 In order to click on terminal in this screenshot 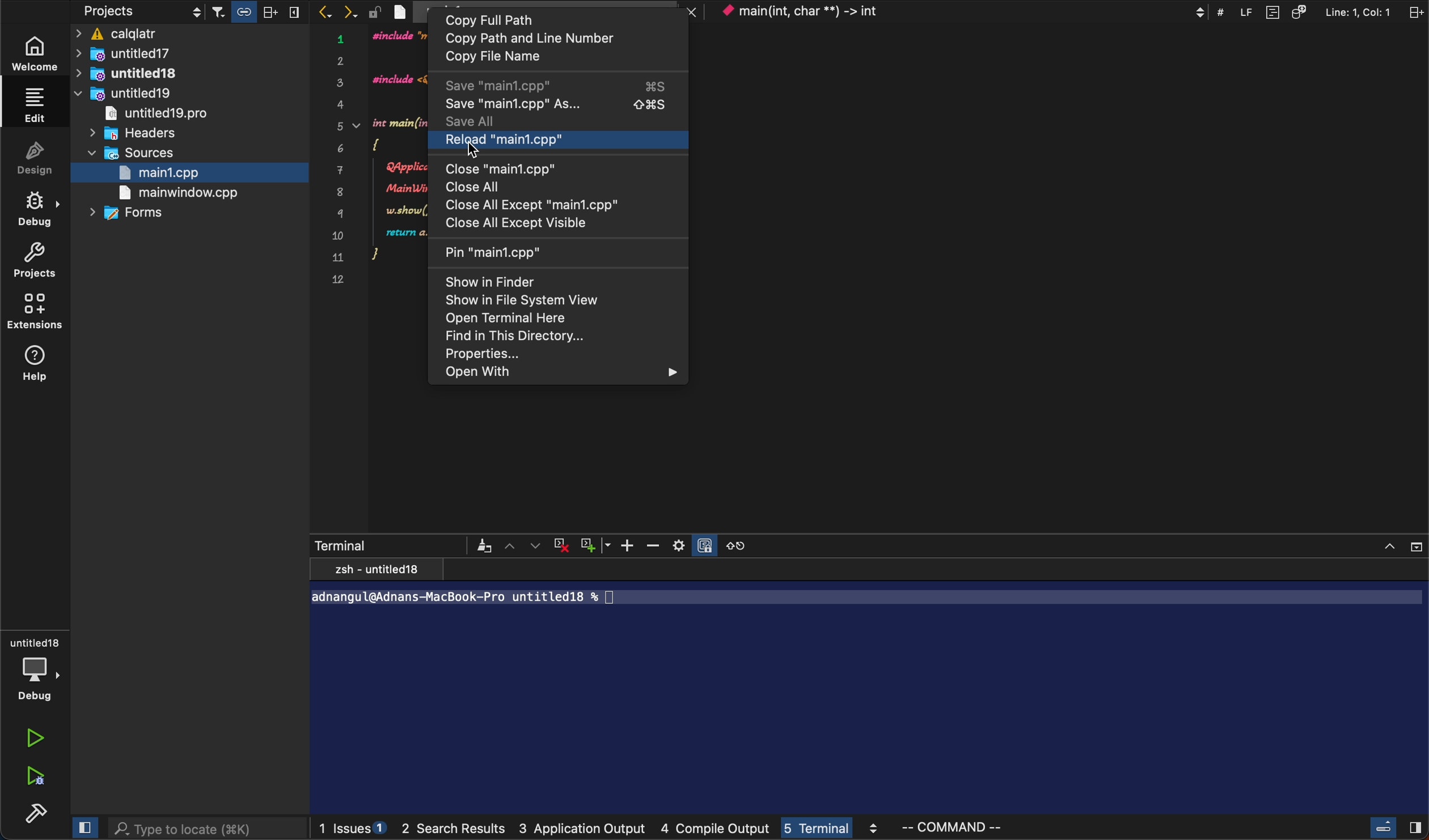, I will do `click(389, 545)`.